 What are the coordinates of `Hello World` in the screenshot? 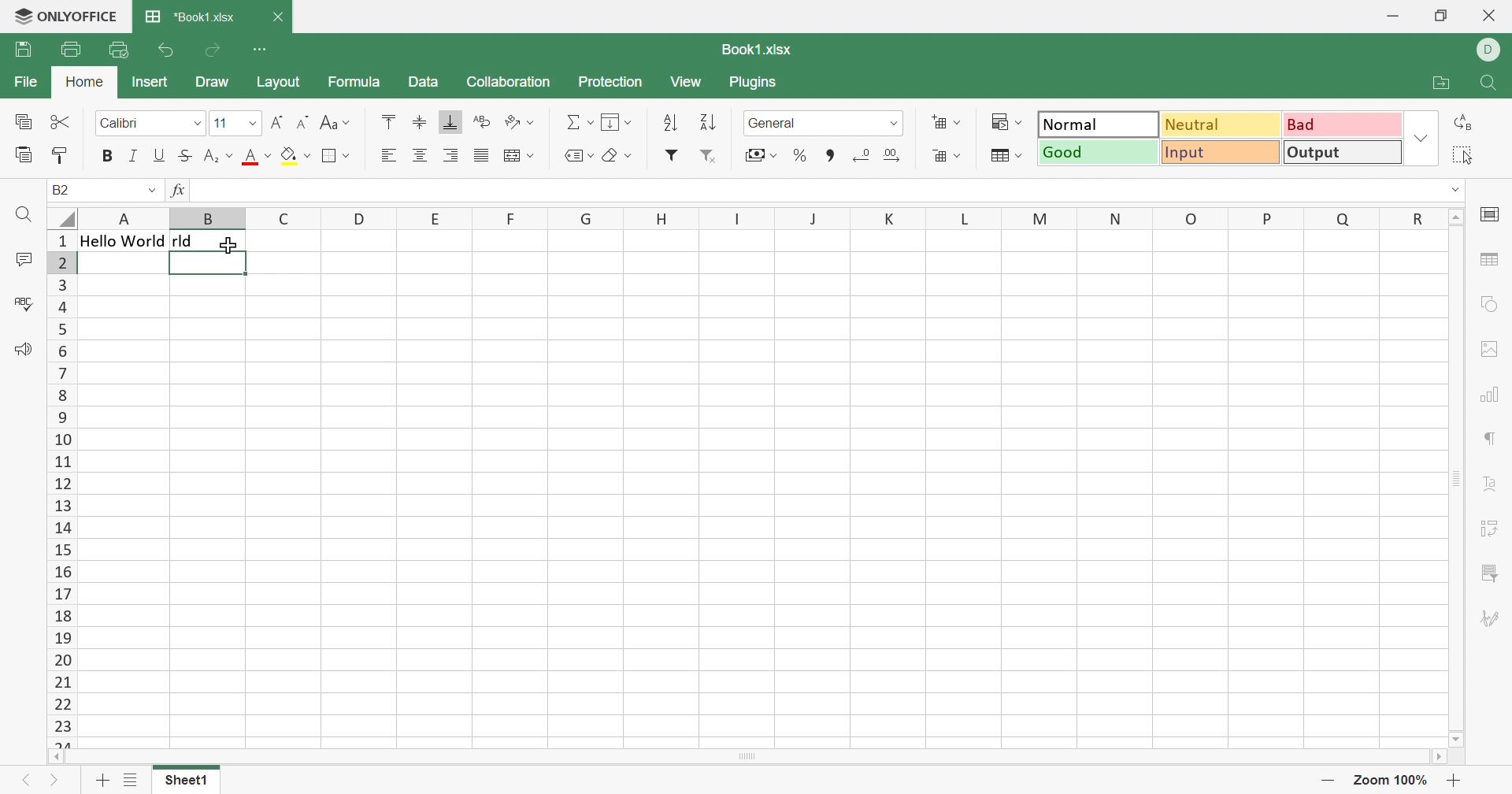 It's located at (123, 240).